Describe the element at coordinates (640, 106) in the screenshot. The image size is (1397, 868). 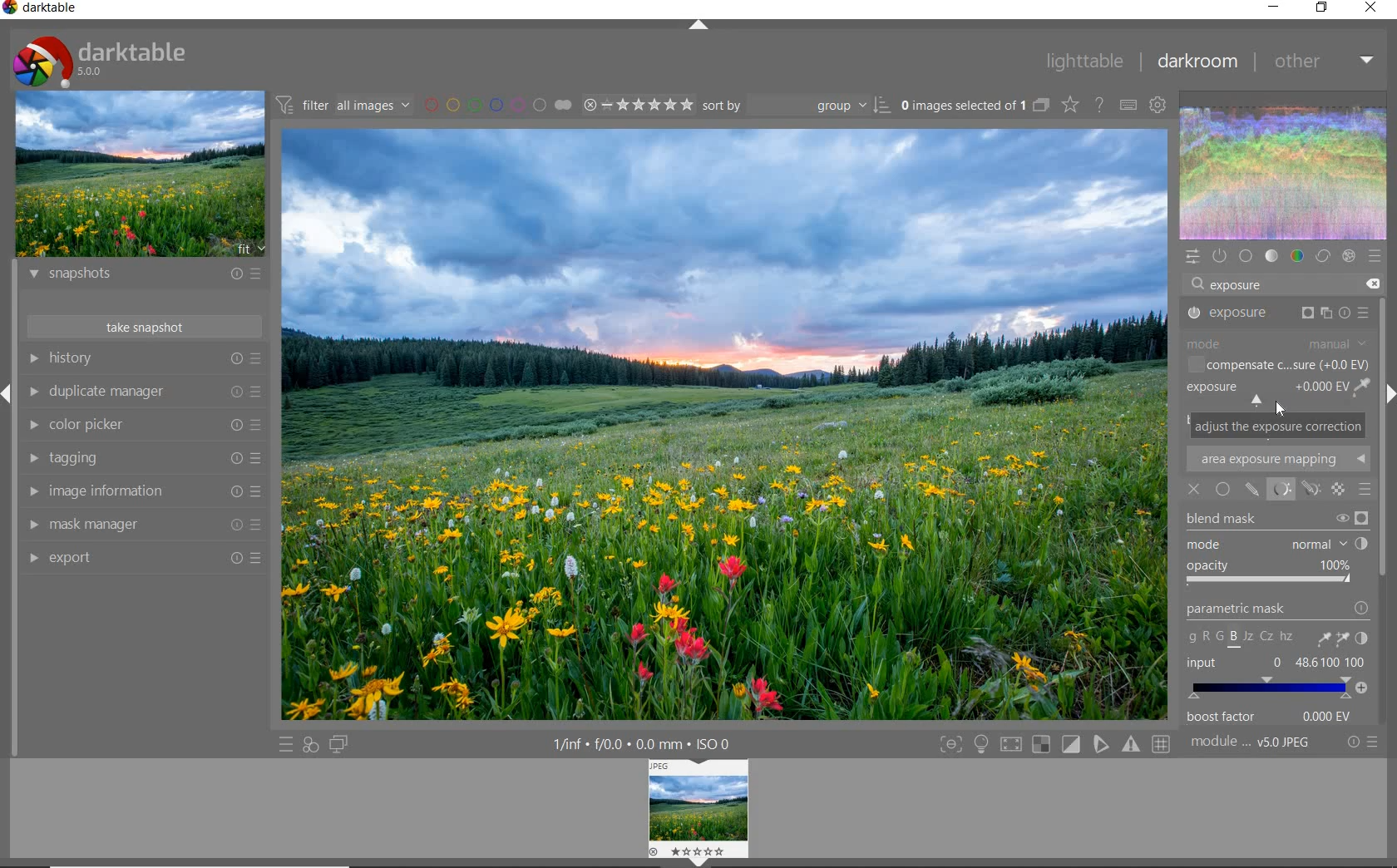
I see `range rating of selected images` at that location.